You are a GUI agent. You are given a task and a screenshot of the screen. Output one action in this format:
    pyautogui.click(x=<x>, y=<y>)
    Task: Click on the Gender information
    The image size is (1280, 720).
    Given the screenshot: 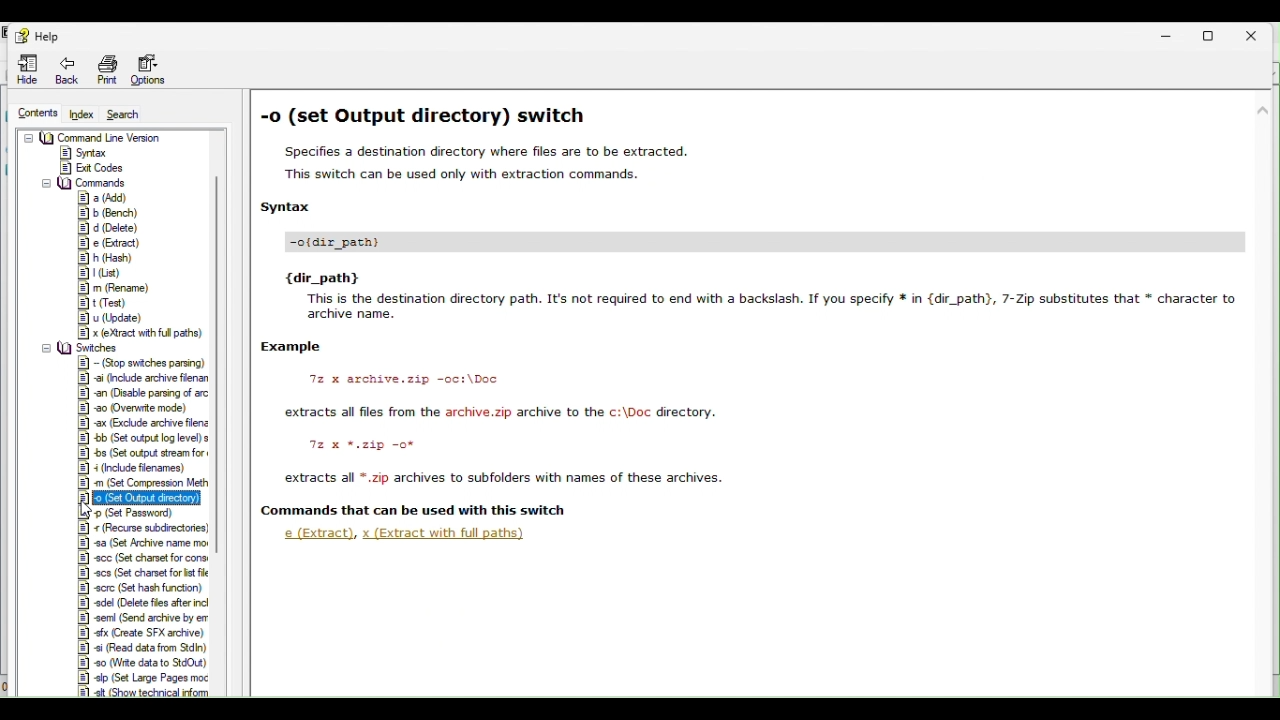 What is the action you would take?
    pyautogui.click(x=71, y=153)
    